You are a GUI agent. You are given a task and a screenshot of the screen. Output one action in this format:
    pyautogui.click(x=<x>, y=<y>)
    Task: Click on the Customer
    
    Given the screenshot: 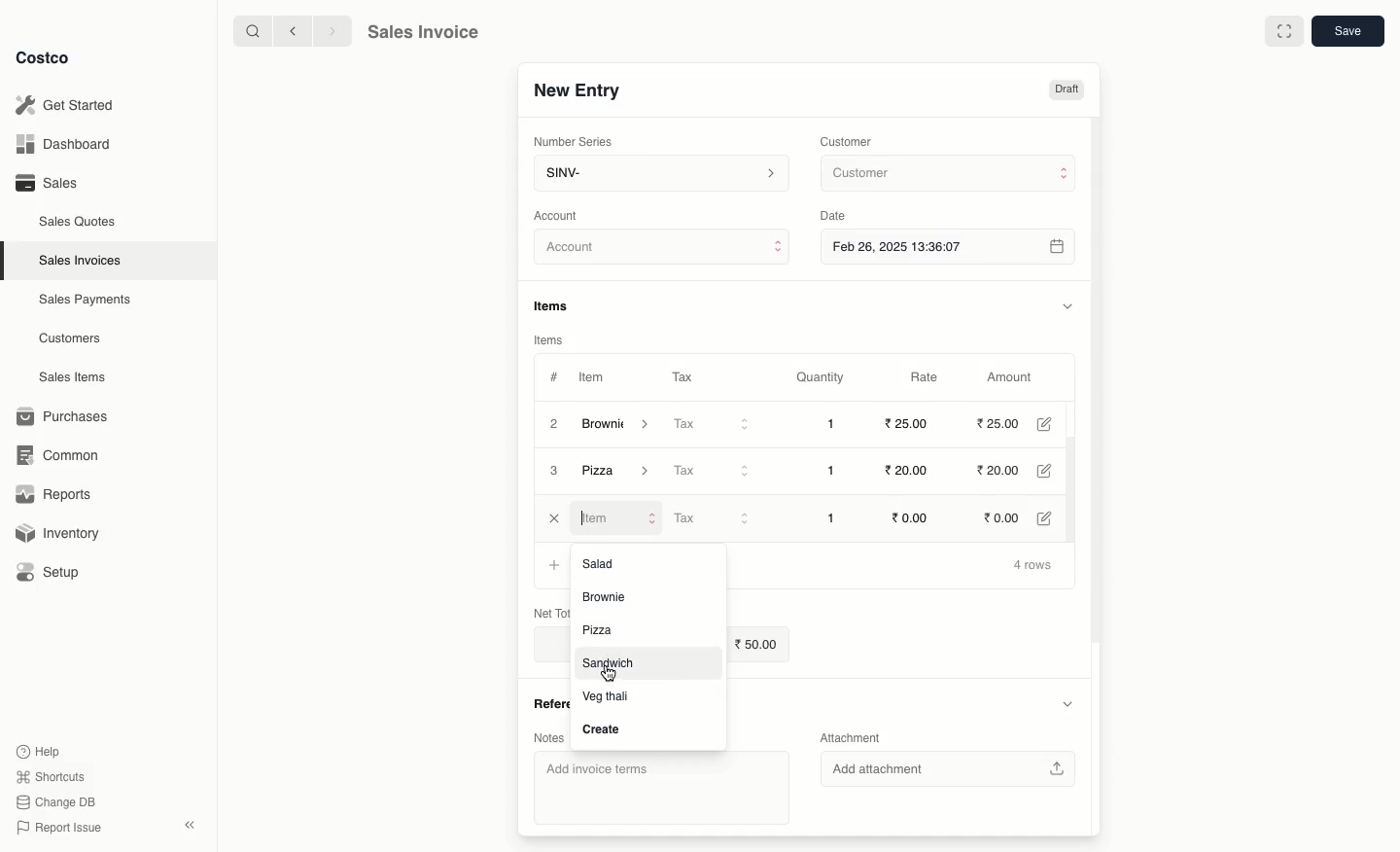 What is the action you would take?
    pyautogui.click(x=946, y=174)
    